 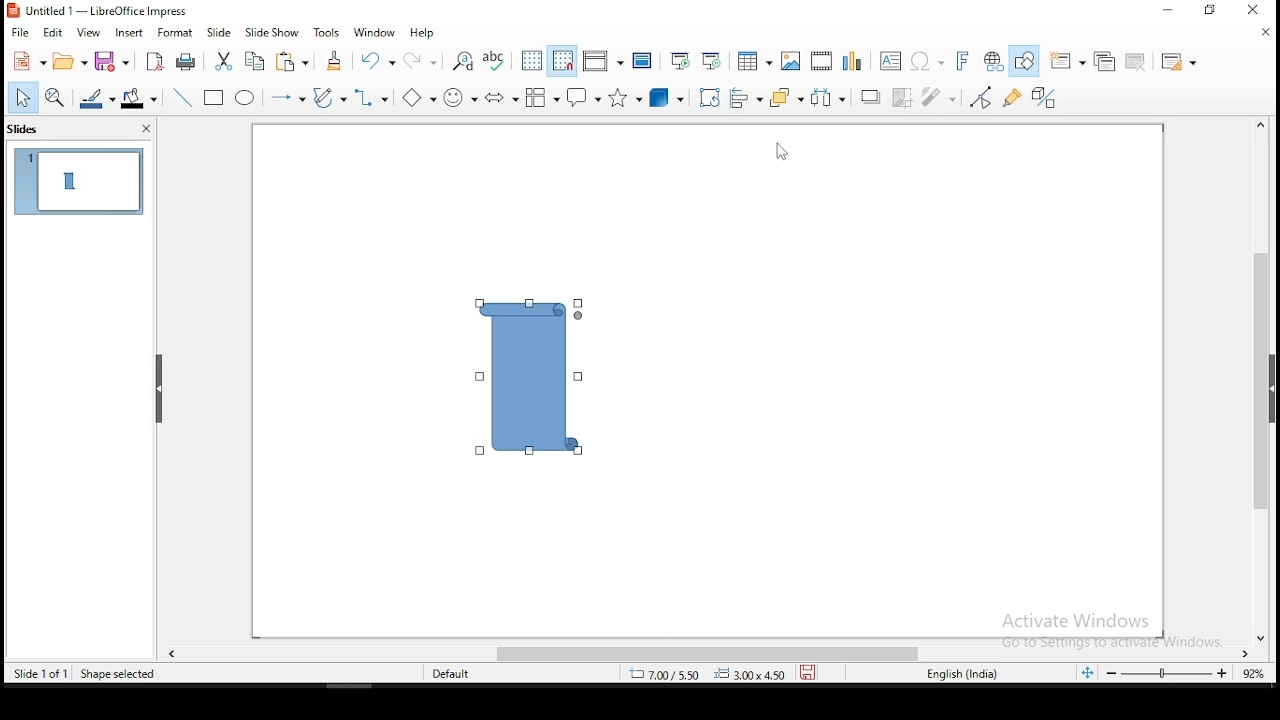 What do you see at coordinates (562, 62) in the screenshot?
I see `snap to grid` at bounding box center [562, 62].